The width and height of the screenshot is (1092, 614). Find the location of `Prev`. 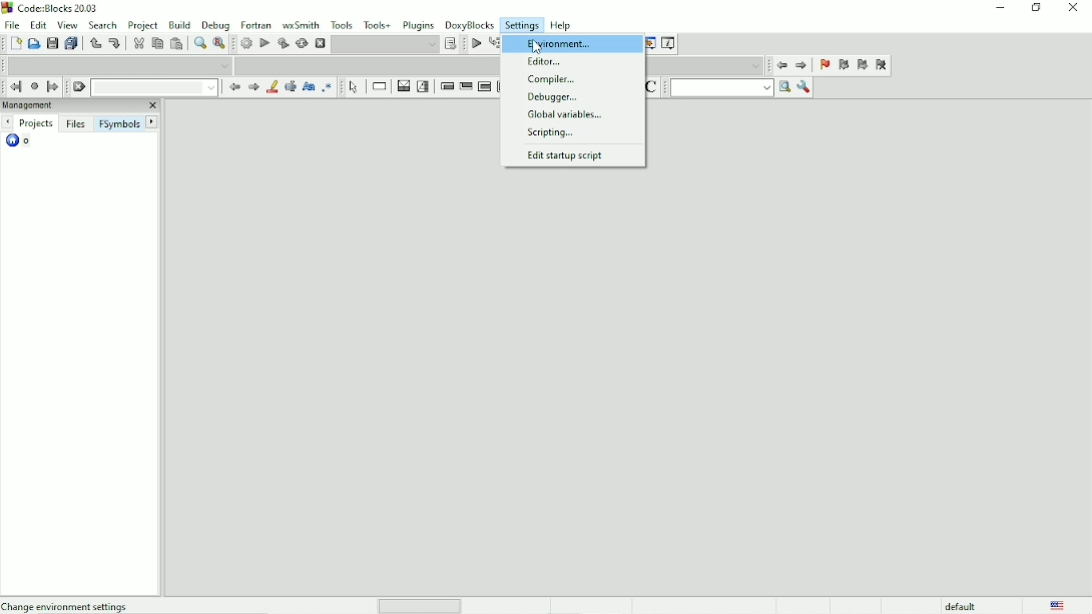

Prev is located at coordinates (235, 88).